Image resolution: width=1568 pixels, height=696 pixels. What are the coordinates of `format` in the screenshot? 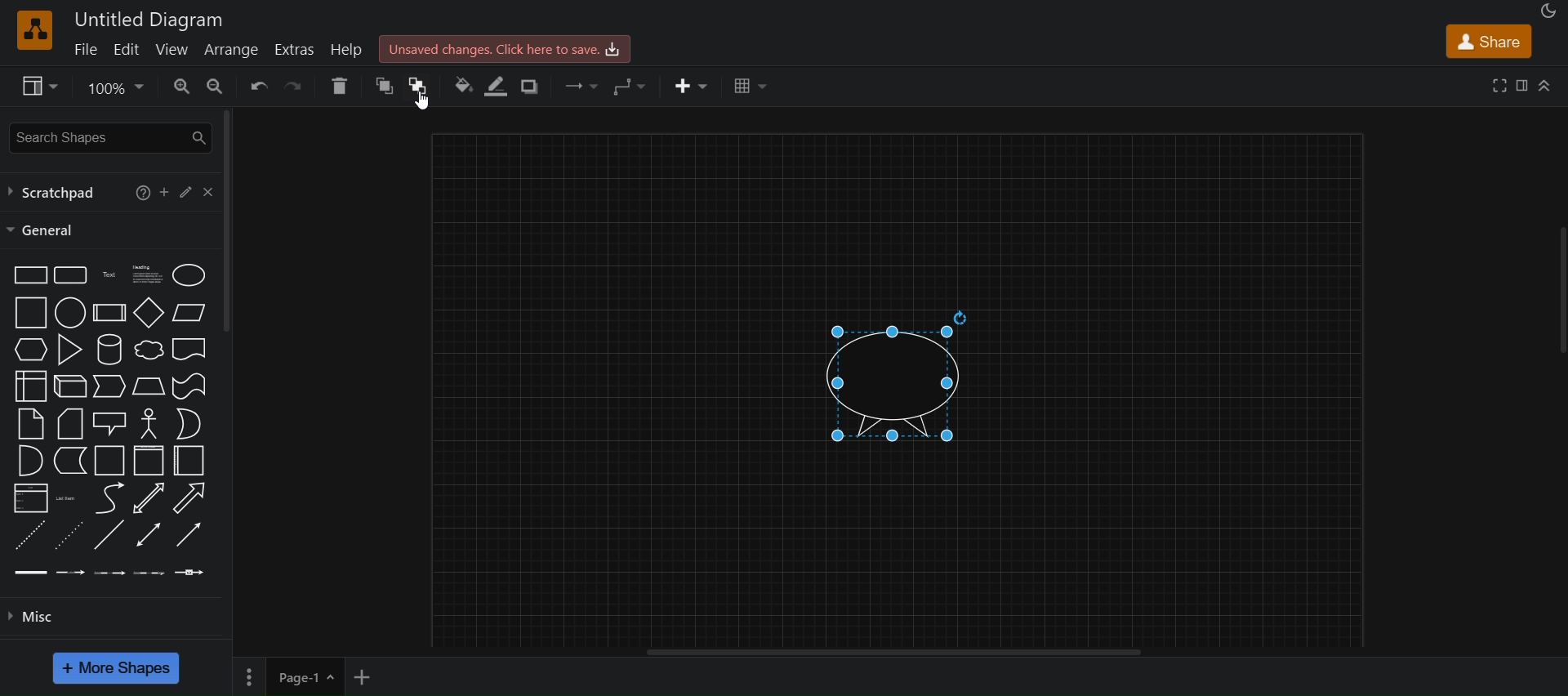 It's located at (1525, 87).